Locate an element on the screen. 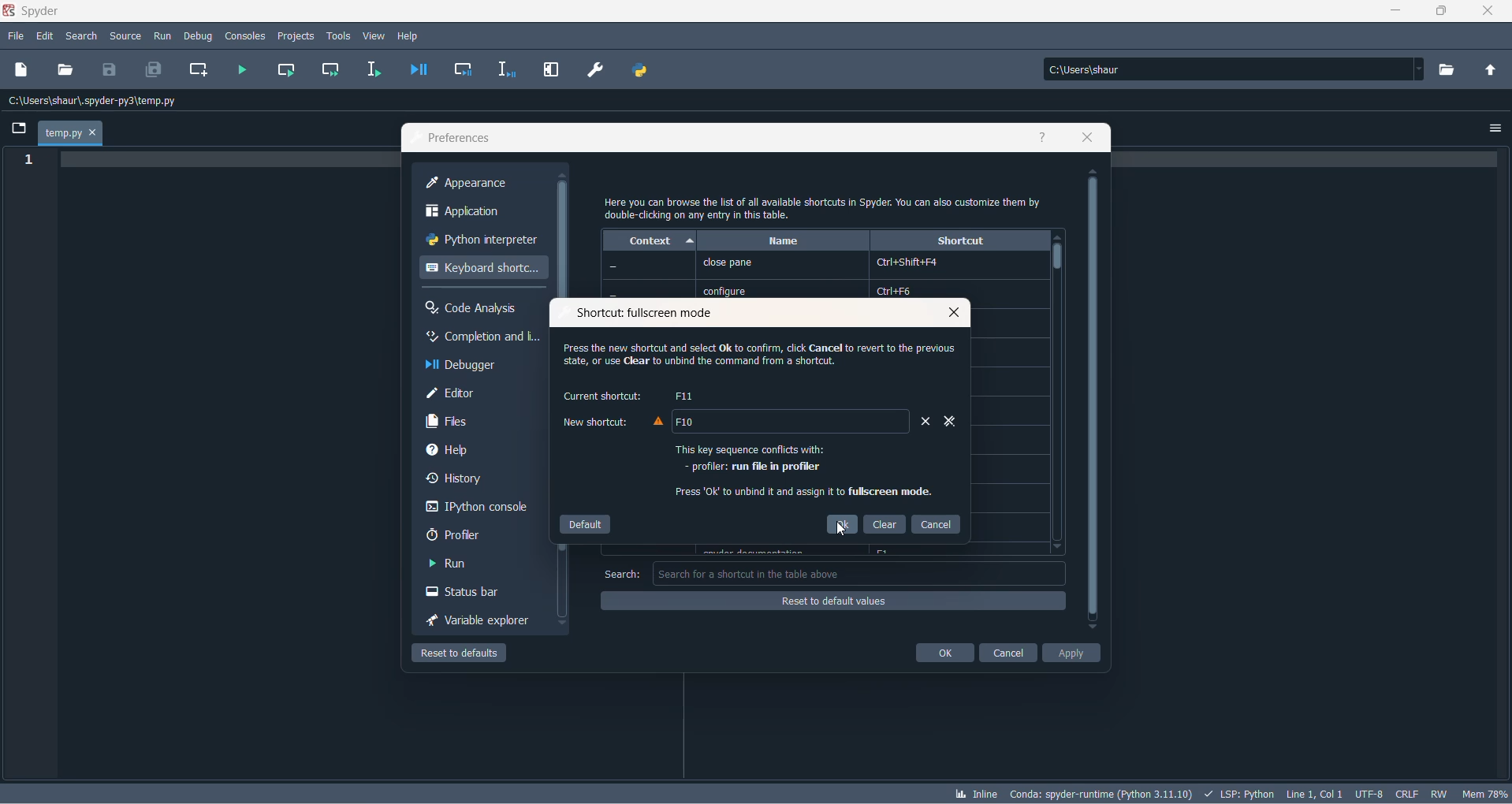  proflier is located at coordinates (472, 535).